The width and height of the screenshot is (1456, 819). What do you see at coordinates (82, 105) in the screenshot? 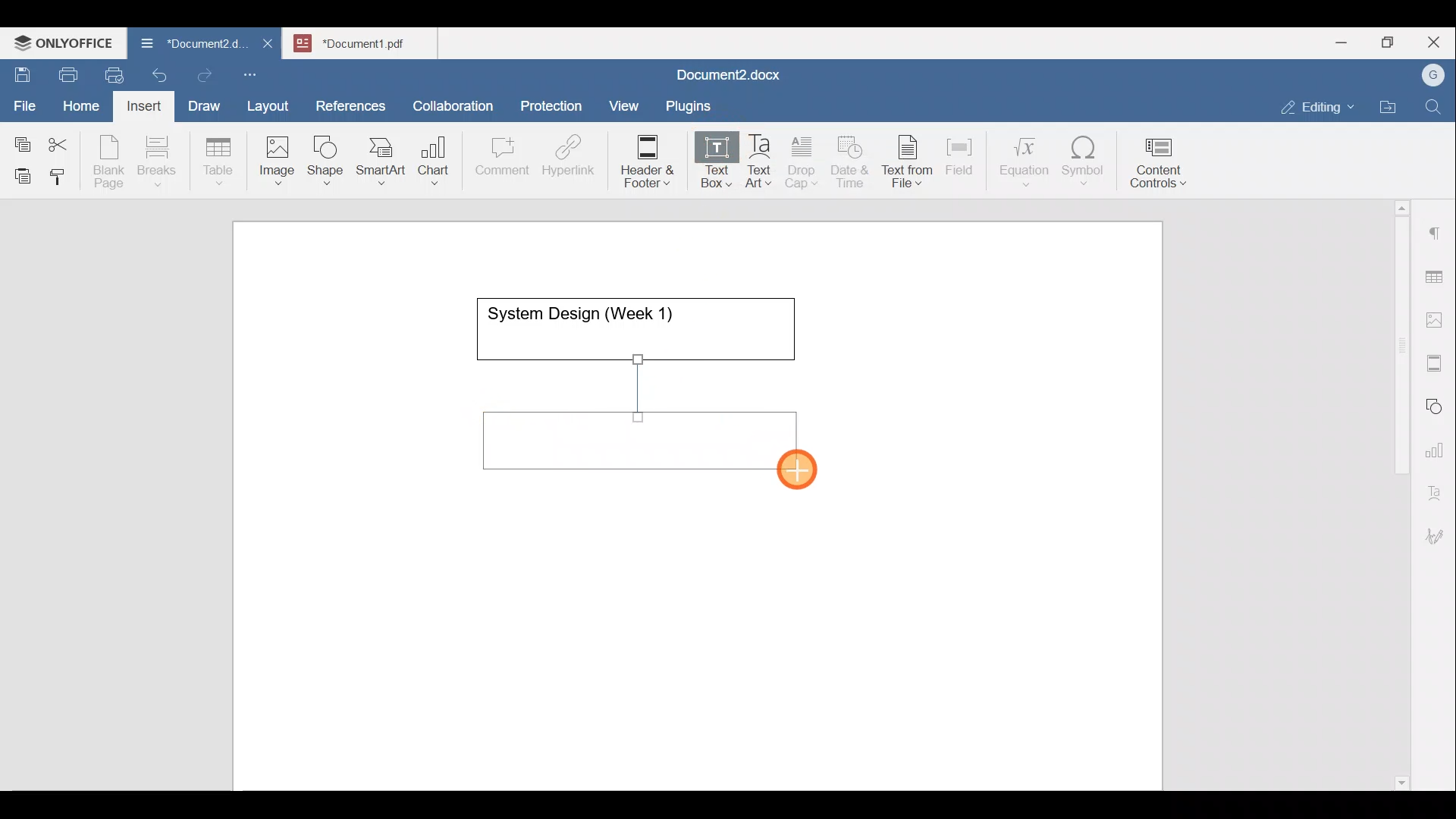
I see `Home` at bounding box center [82, 105].